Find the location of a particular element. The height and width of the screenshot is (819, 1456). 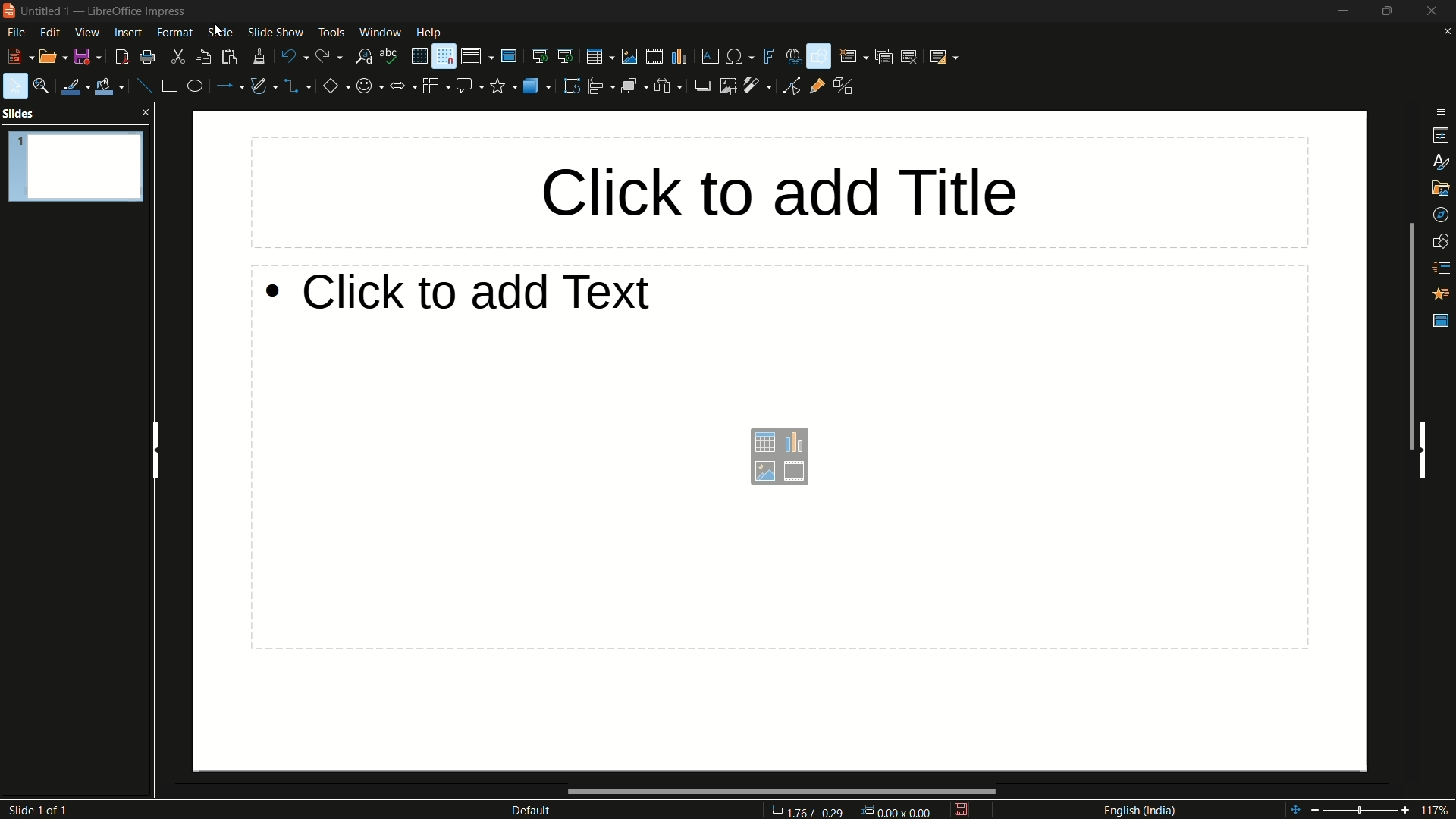

edit menu is located at coordinates (51, 32).